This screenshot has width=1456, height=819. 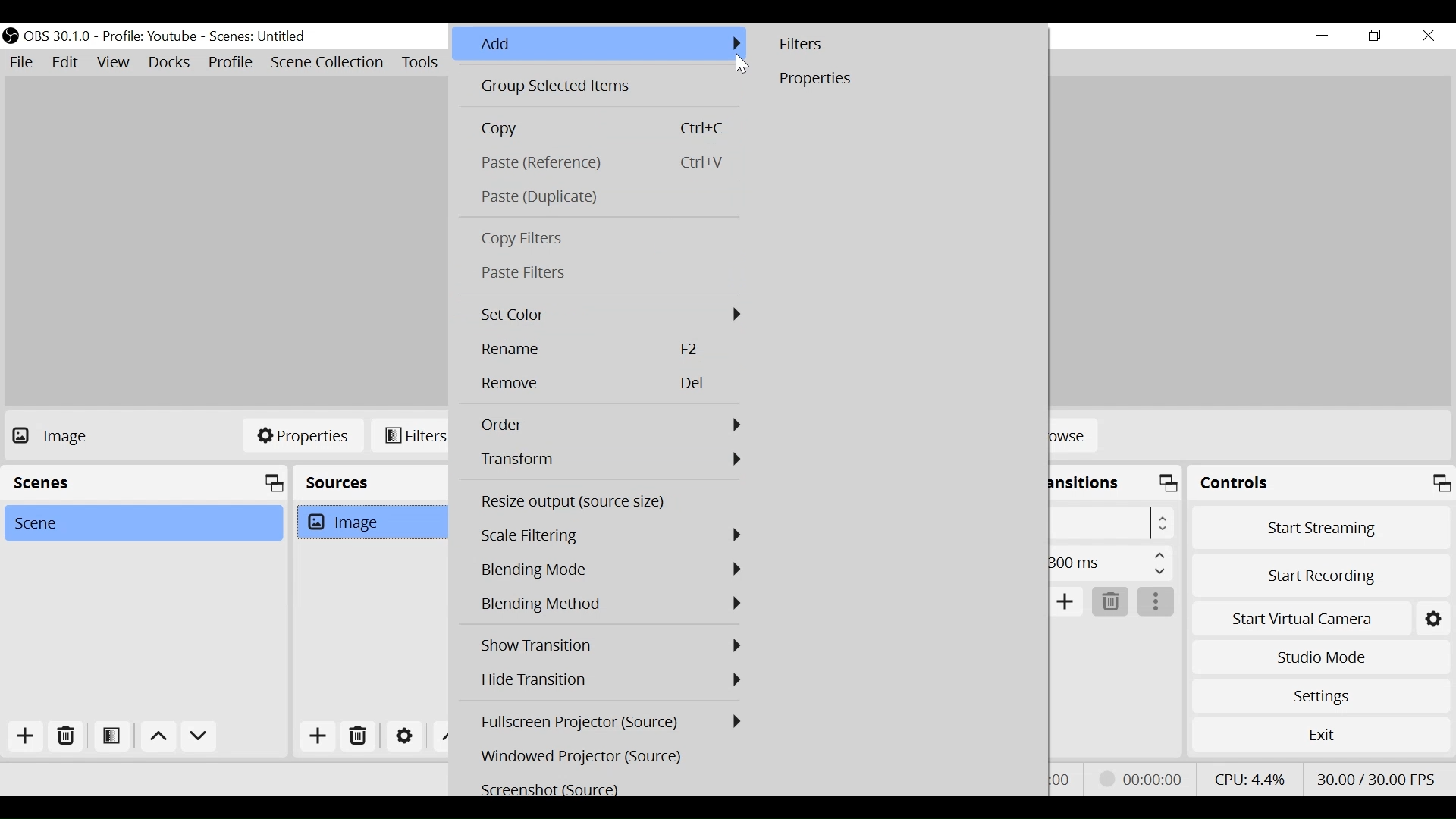 I want to click on Settings, so click(x=1321, y=694).